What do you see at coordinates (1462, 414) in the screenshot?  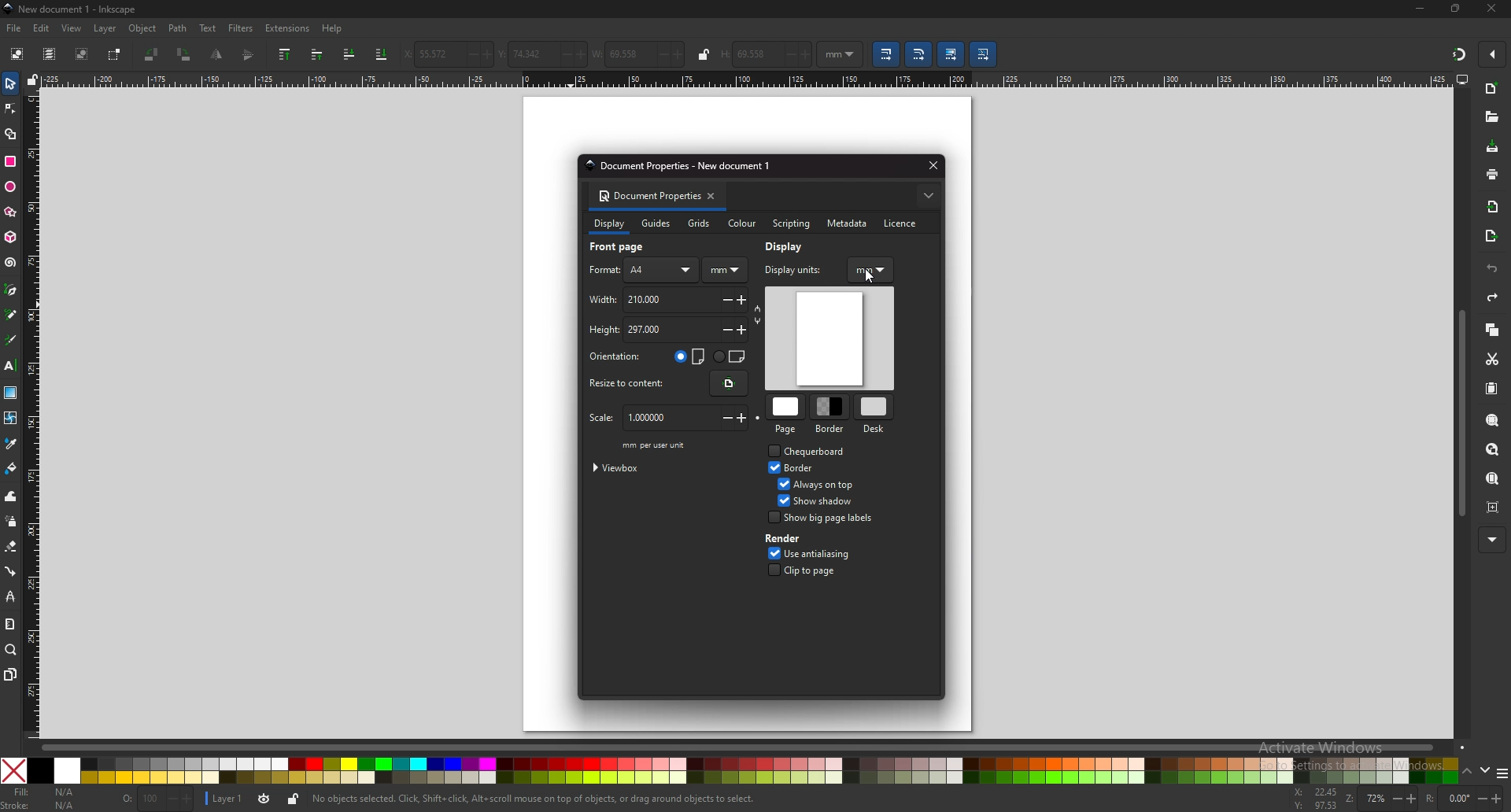 I see `scroll bar` at bounding box center [1462, 414].